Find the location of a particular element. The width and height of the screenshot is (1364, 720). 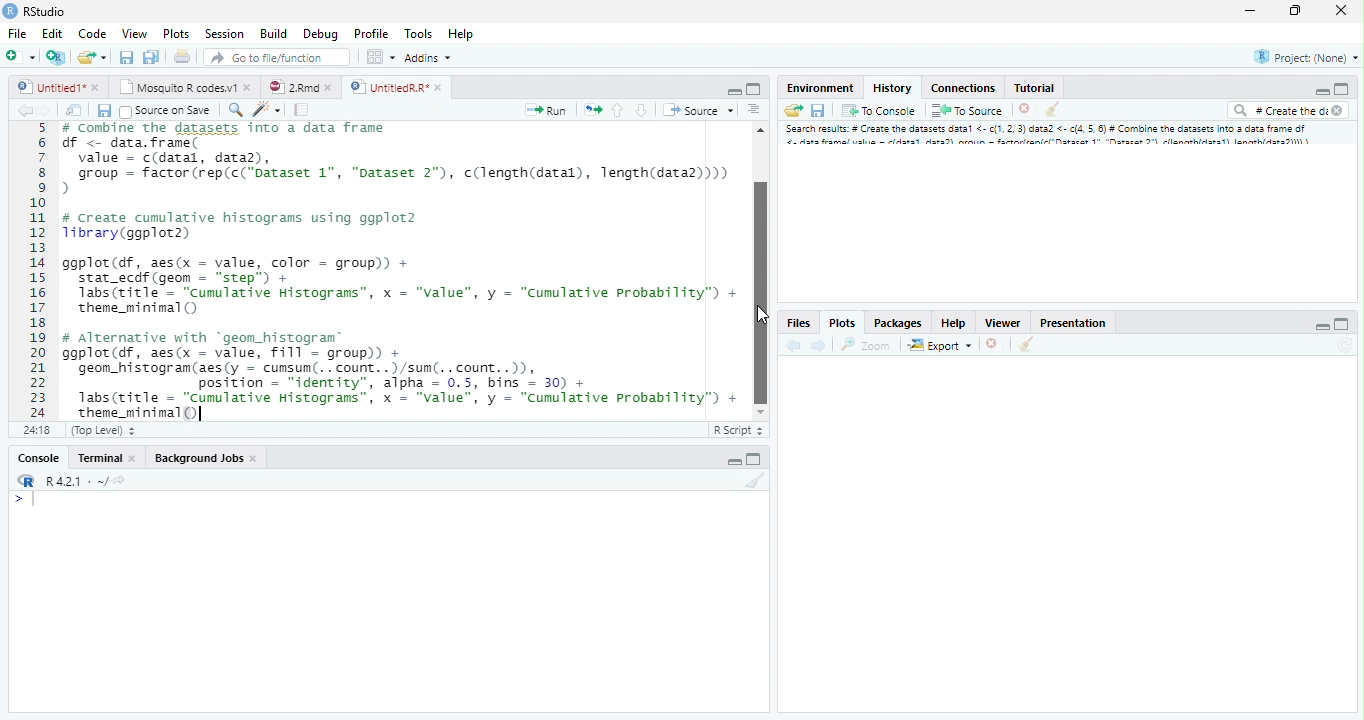

Maximize is located at coordinates (1344, 323).